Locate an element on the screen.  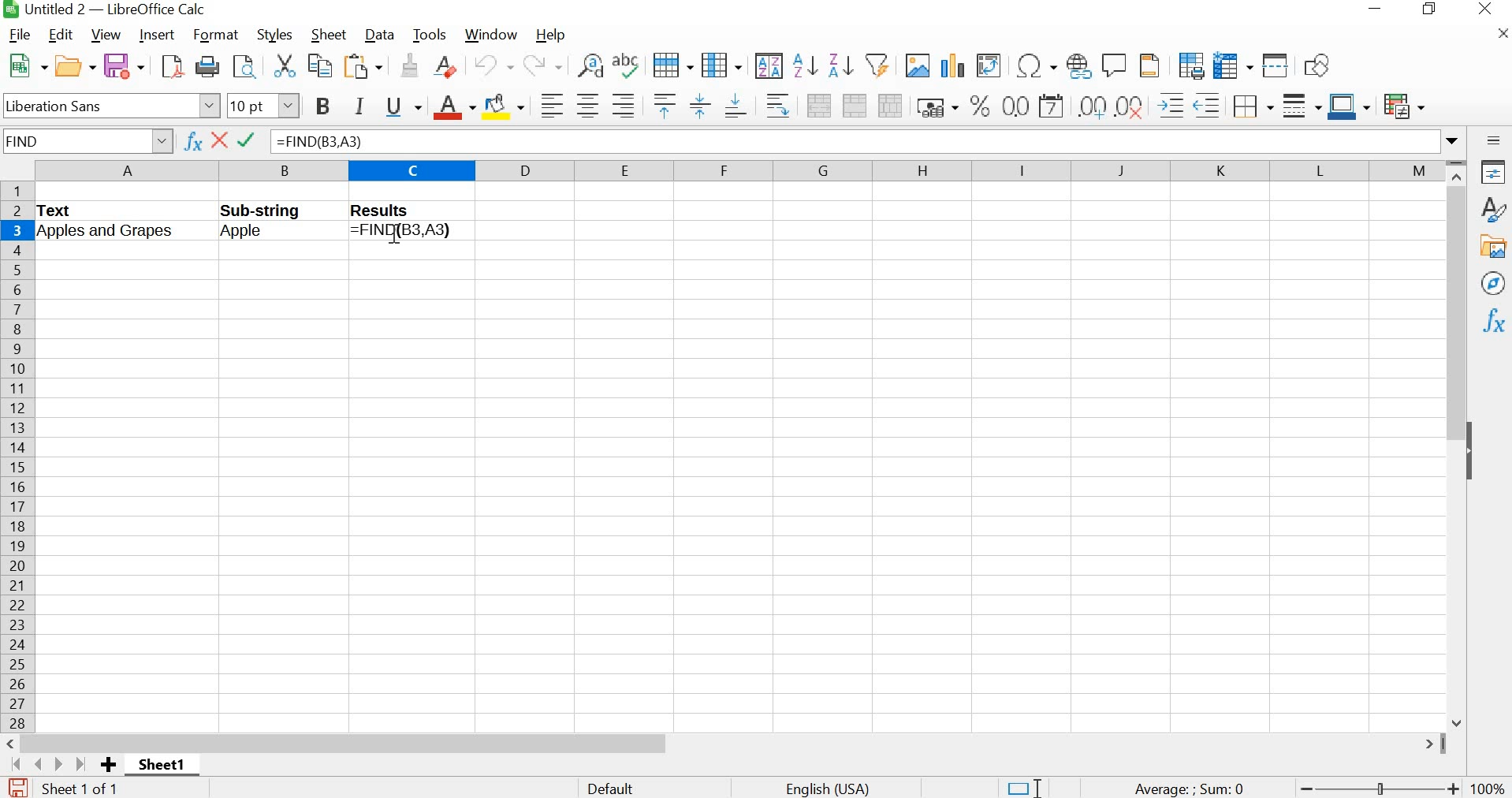
show draw functions is located at coordinates (1319, 65).